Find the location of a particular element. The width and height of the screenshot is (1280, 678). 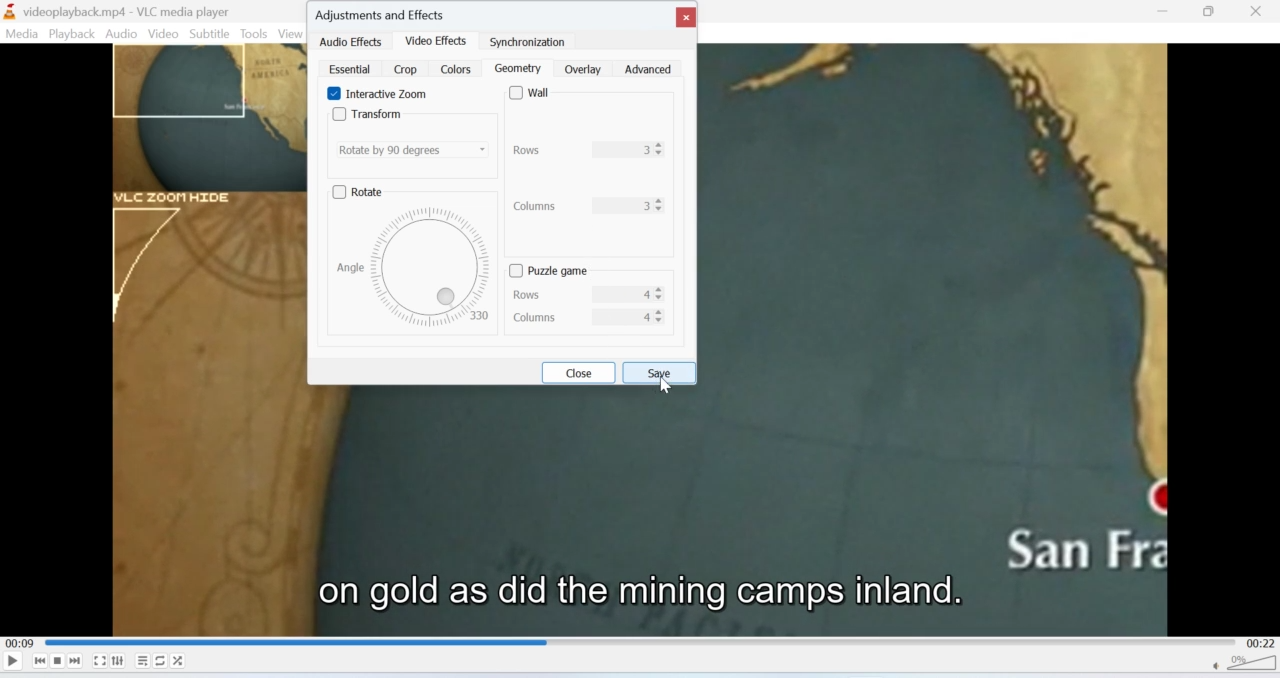

videoplayback.mp4-VLC media player is located at coordinates (117, 13).